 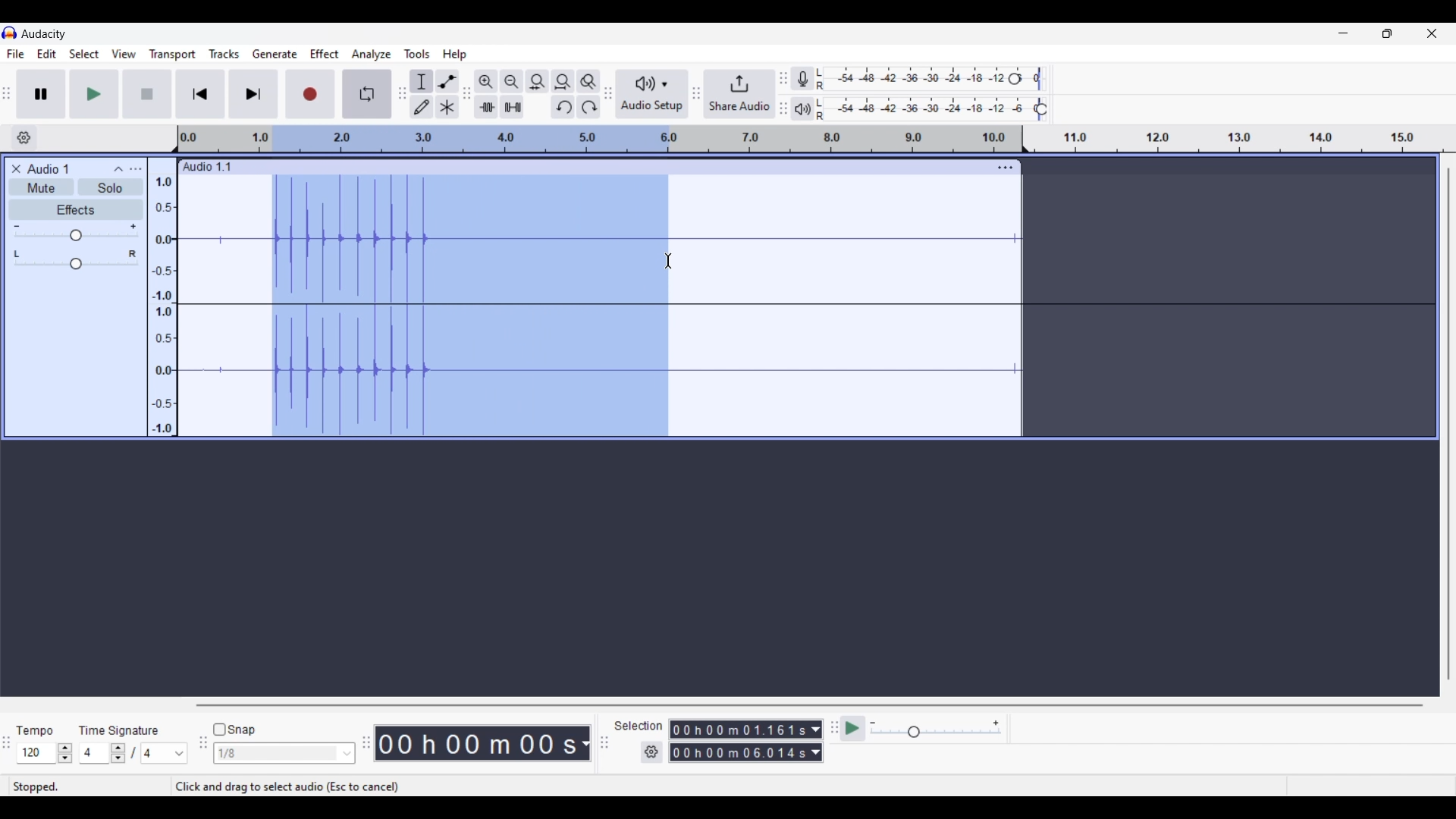 What do you see at coordinates (927, 109) in the screenshot?
I see `Playback level` at bounding box center [927, 109].